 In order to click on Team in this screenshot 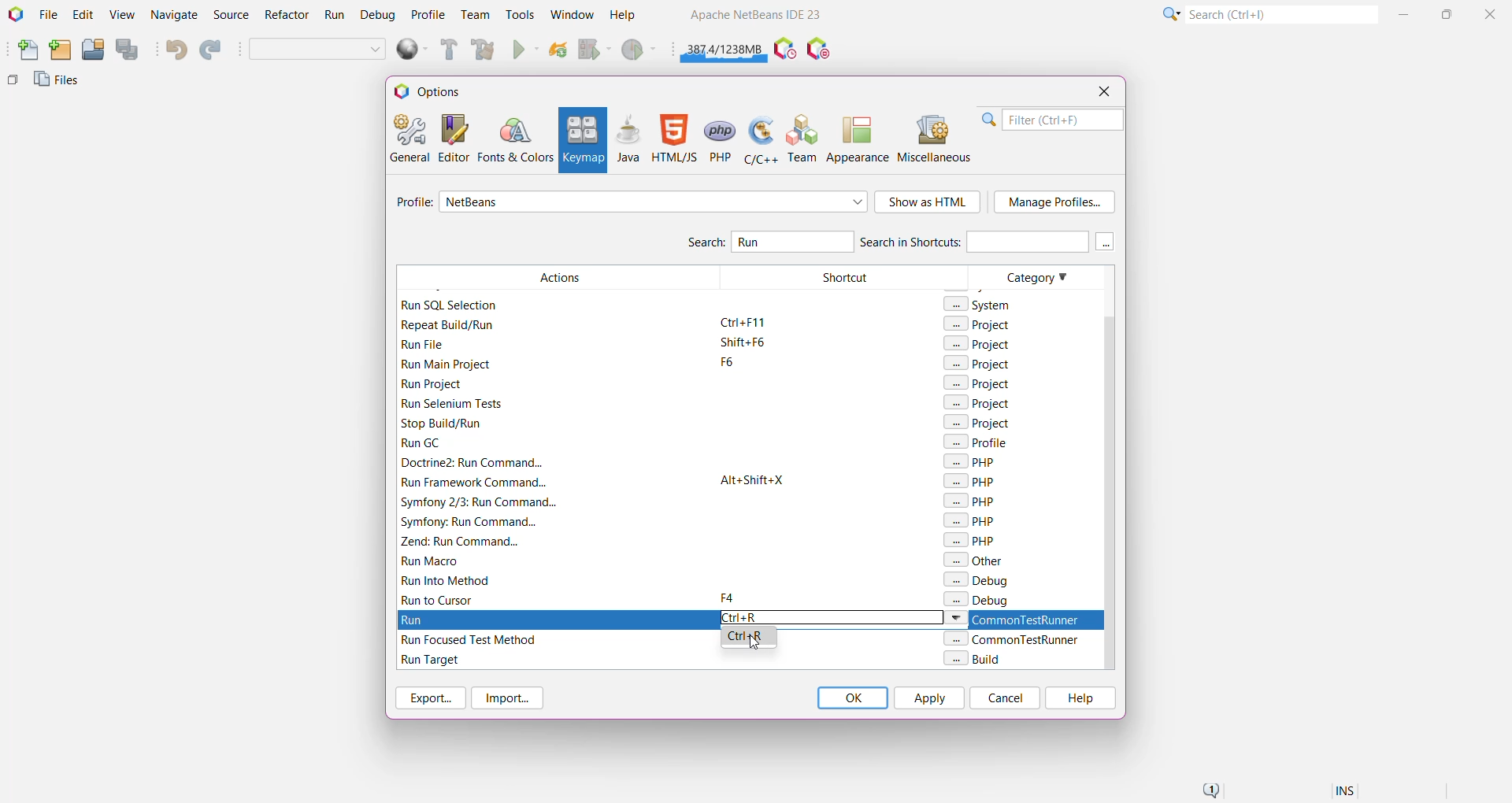, I will do `click(803, 139)`.